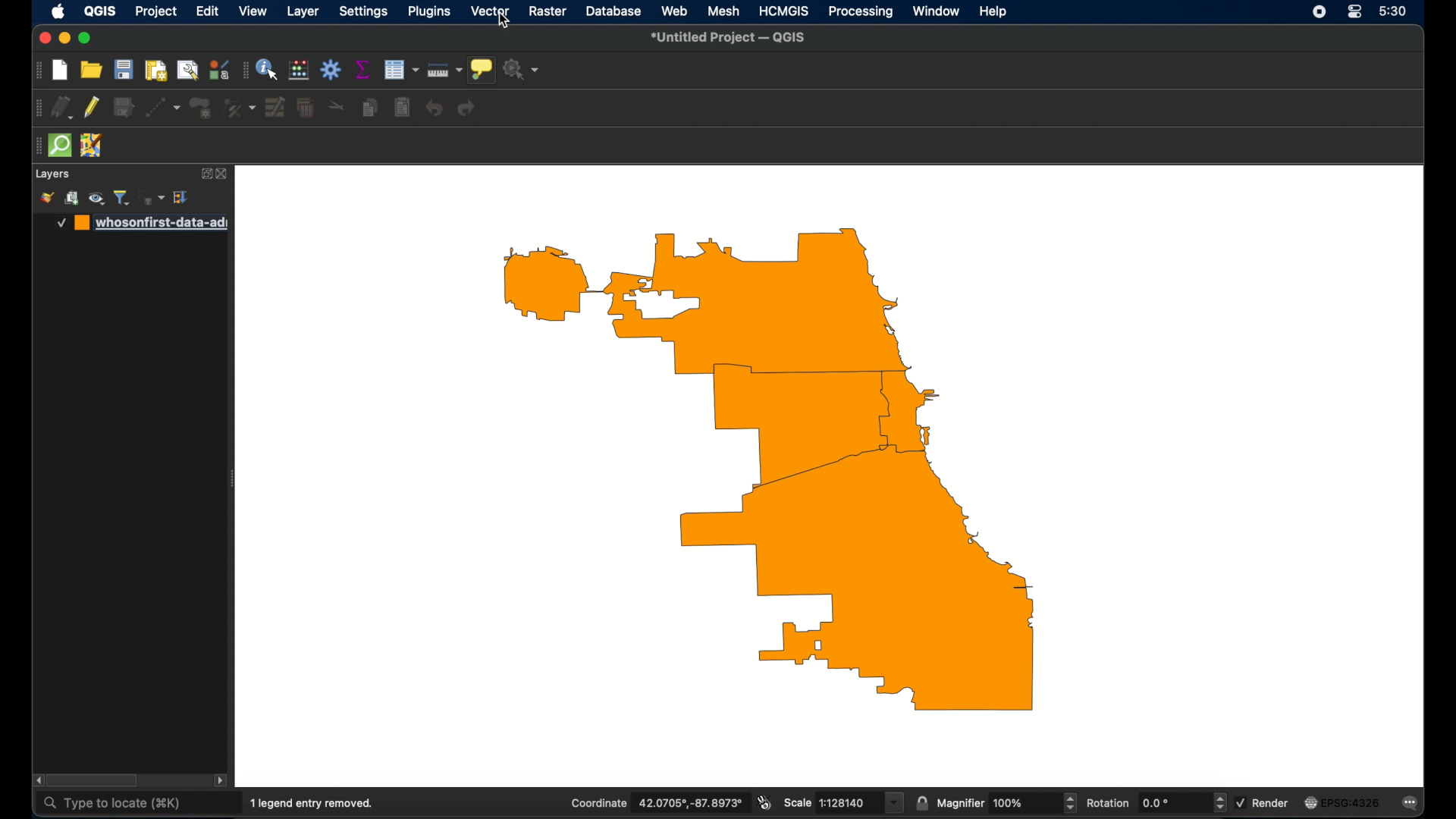  What do you see at coordinates (491, 11) in the screenshot?
I see `vector` at bounding box center [491, 11].